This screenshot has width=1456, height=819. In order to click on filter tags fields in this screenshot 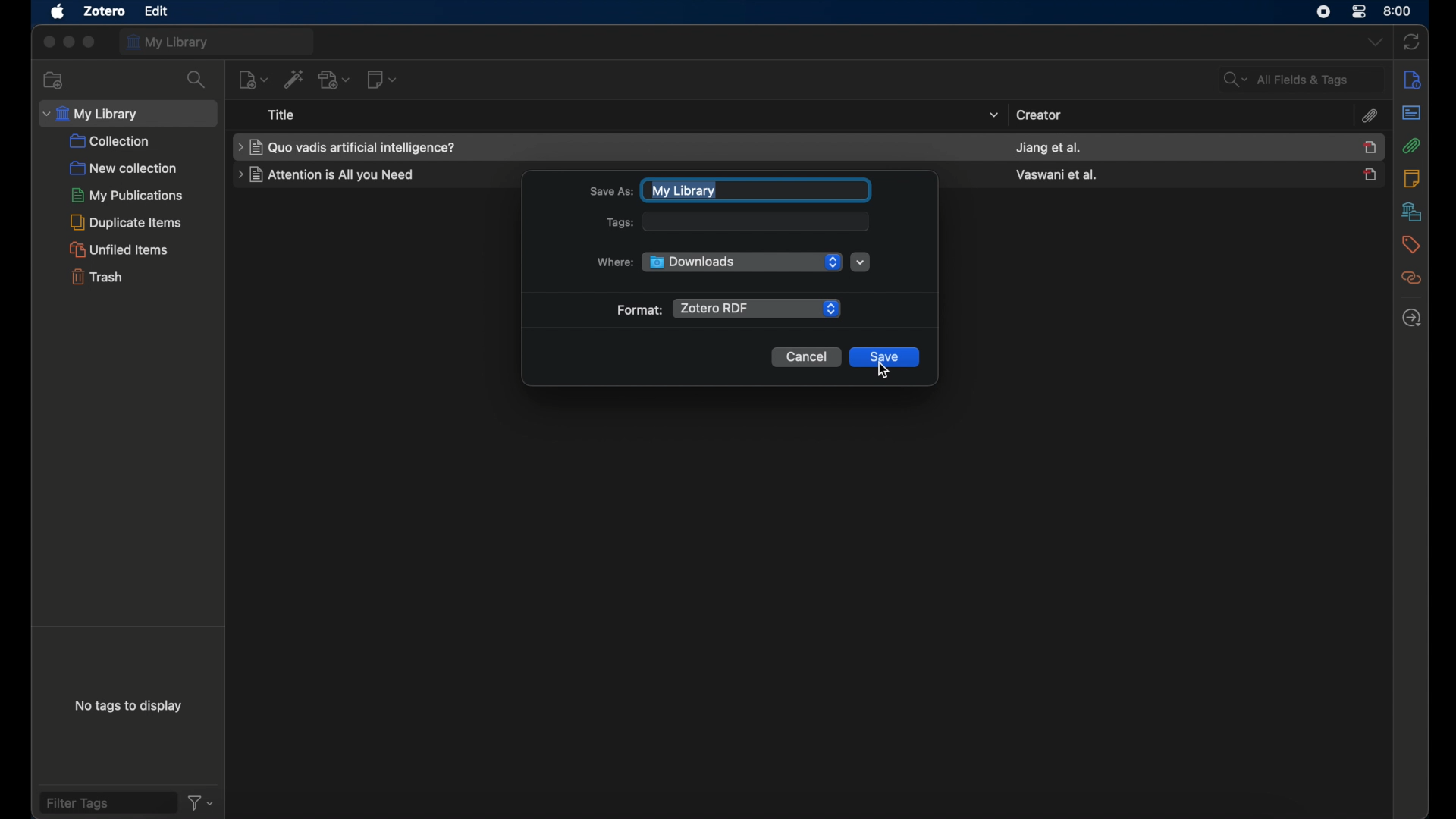, I will do `click(107, 802)`.